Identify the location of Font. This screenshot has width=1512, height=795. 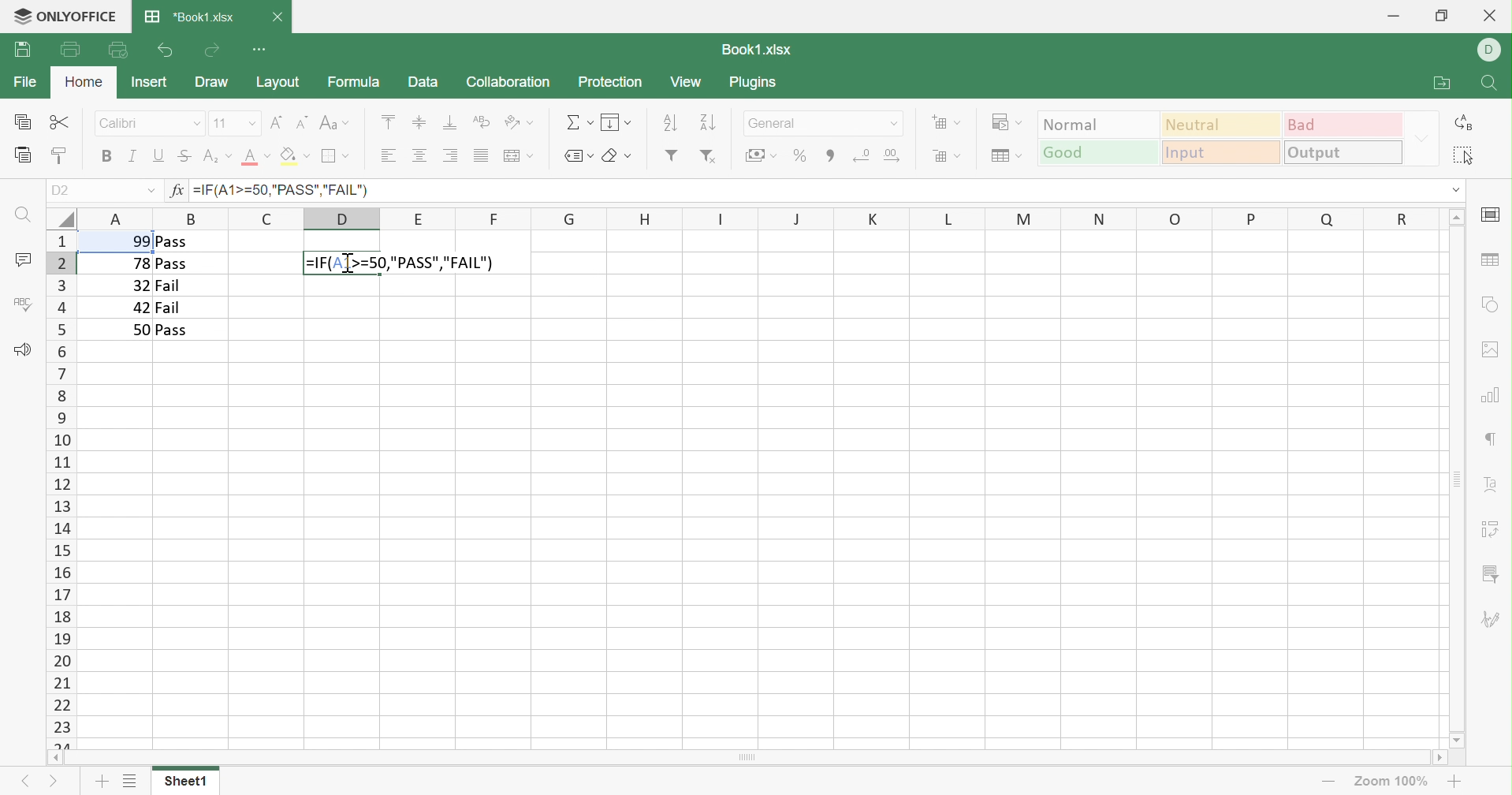
(150, 121).